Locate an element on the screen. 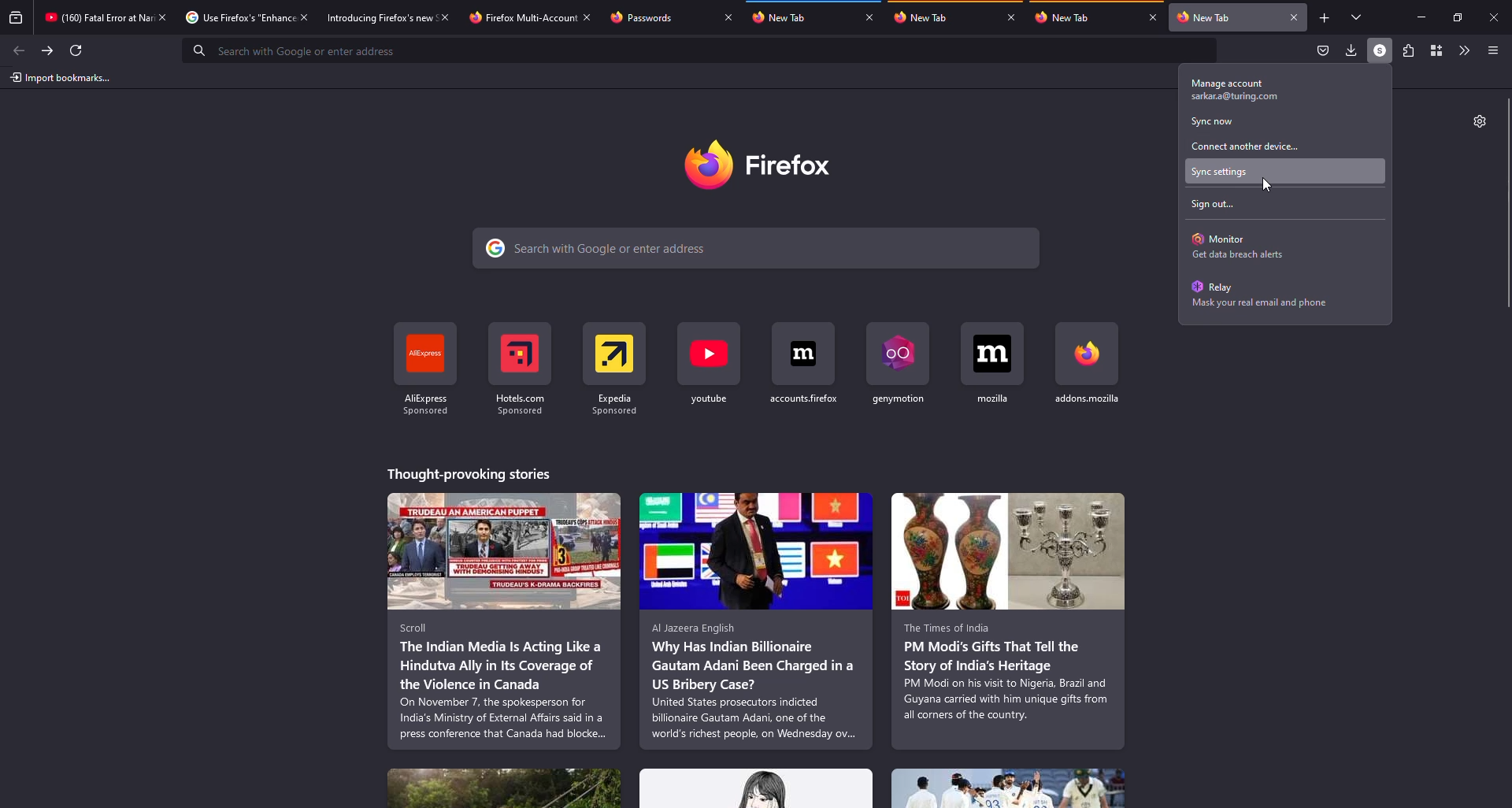  view recent is located at coordinates (17, 17).